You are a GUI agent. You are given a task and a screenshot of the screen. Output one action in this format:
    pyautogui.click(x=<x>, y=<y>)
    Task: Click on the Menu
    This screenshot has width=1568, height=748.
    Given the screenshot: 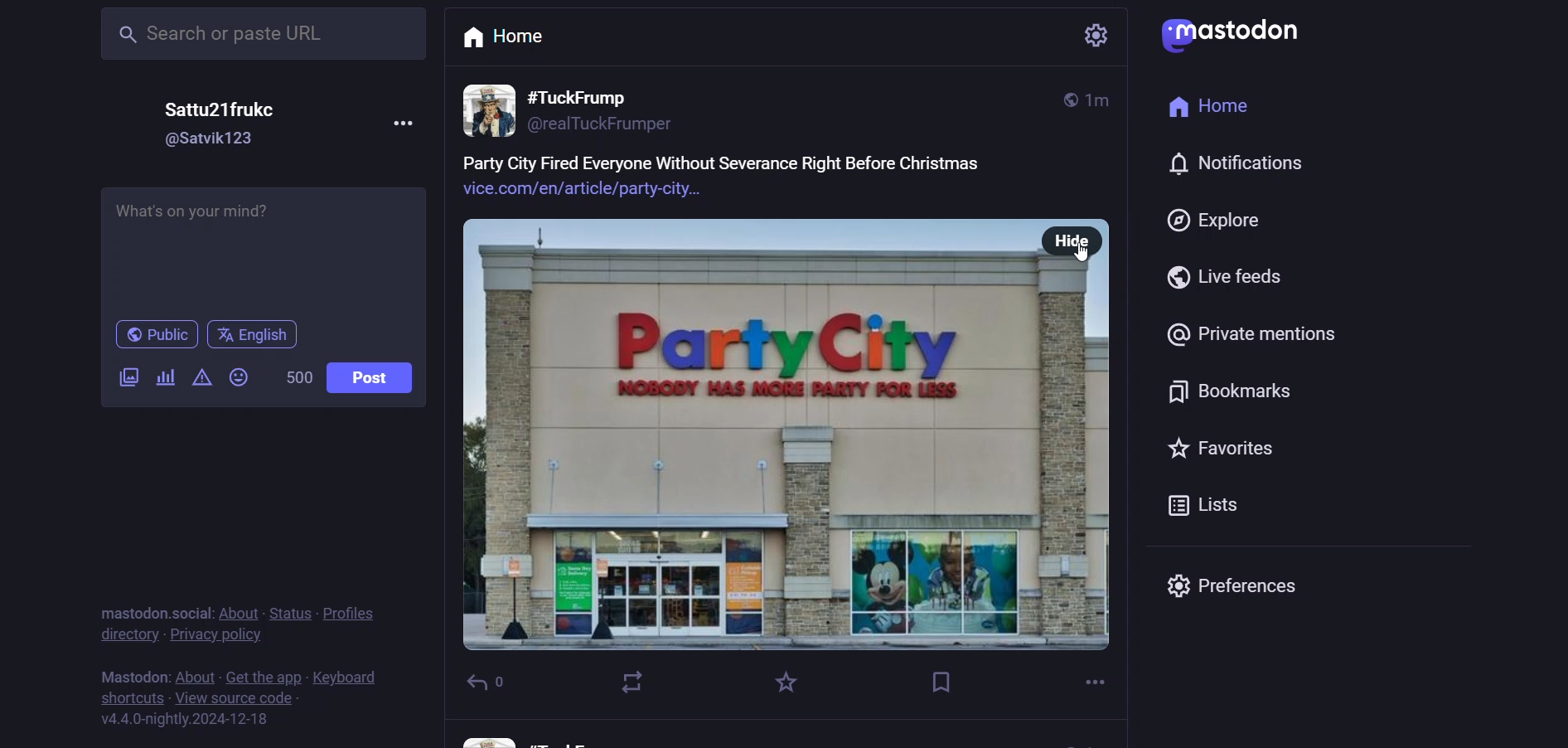 What is the action you would take?
    pyautogui.click(x=404, y=124)
    